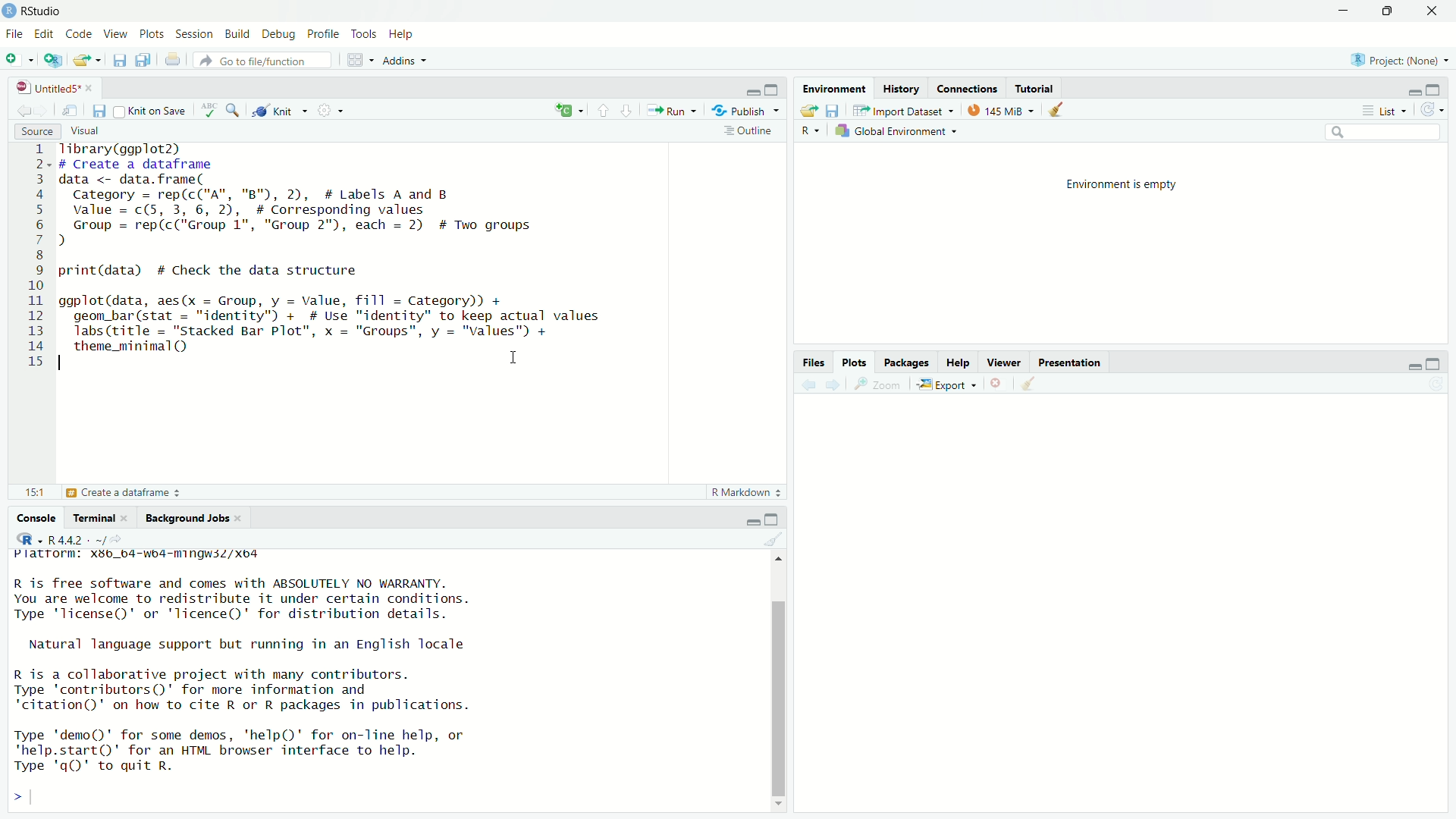 The width and height of the screenshot is (1456, 819). Describe the element at coordinates (16, 34) in the screenshot. I see `File` at that location.